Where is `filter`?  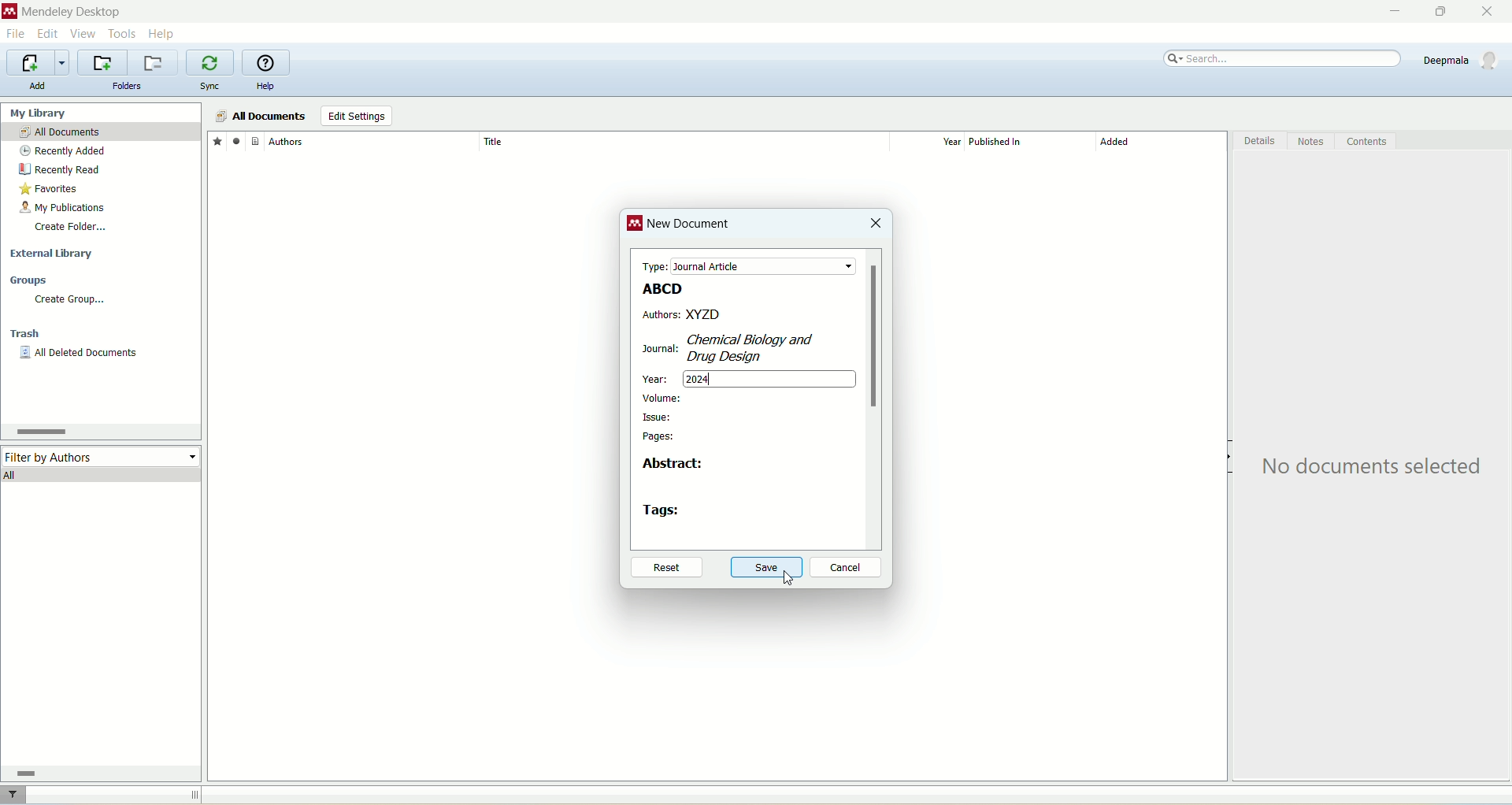 filter is located at coordinates (15, 795).